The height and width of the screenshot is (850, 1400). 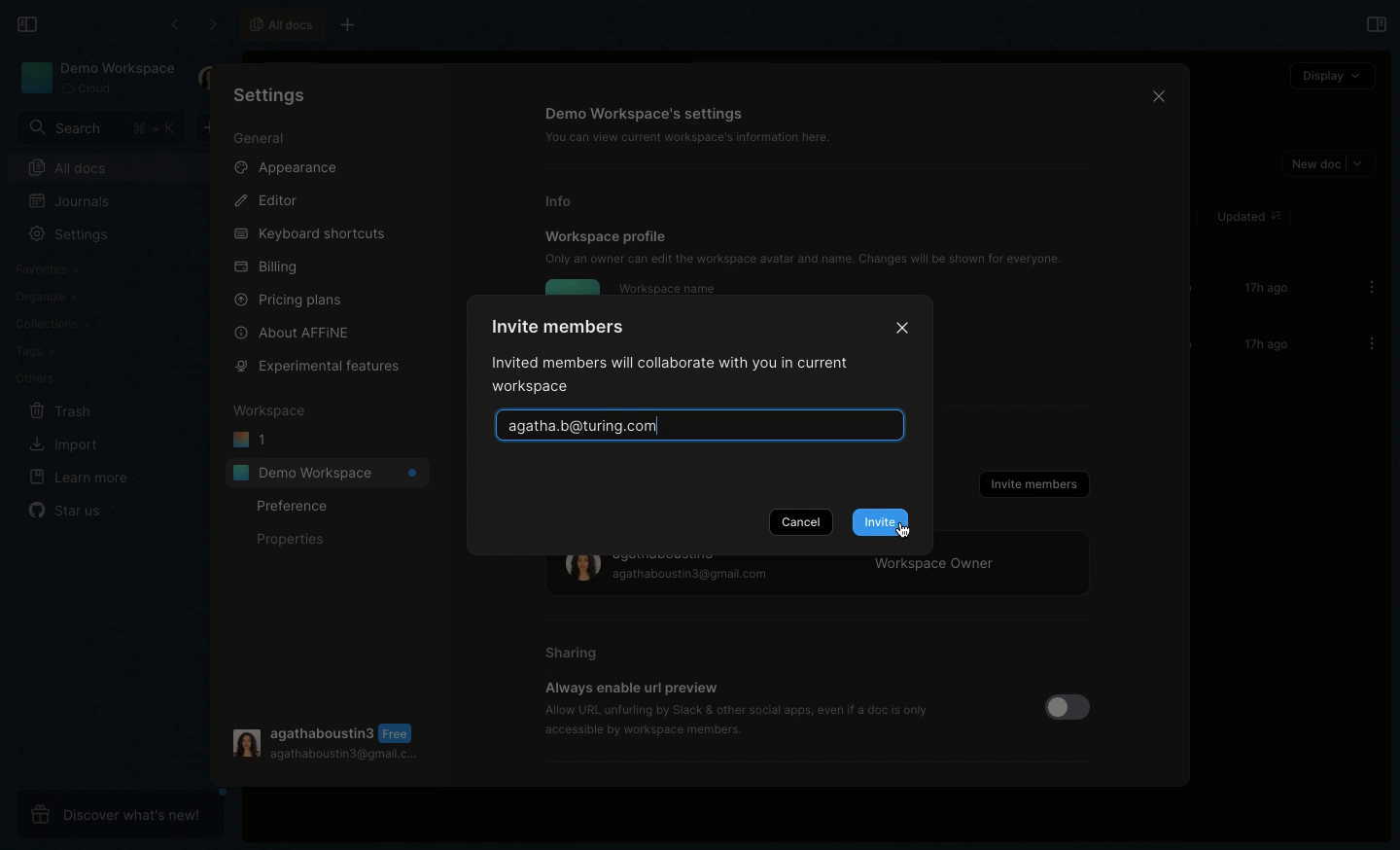 I want to click on Tags, so click(x=31, y=351).